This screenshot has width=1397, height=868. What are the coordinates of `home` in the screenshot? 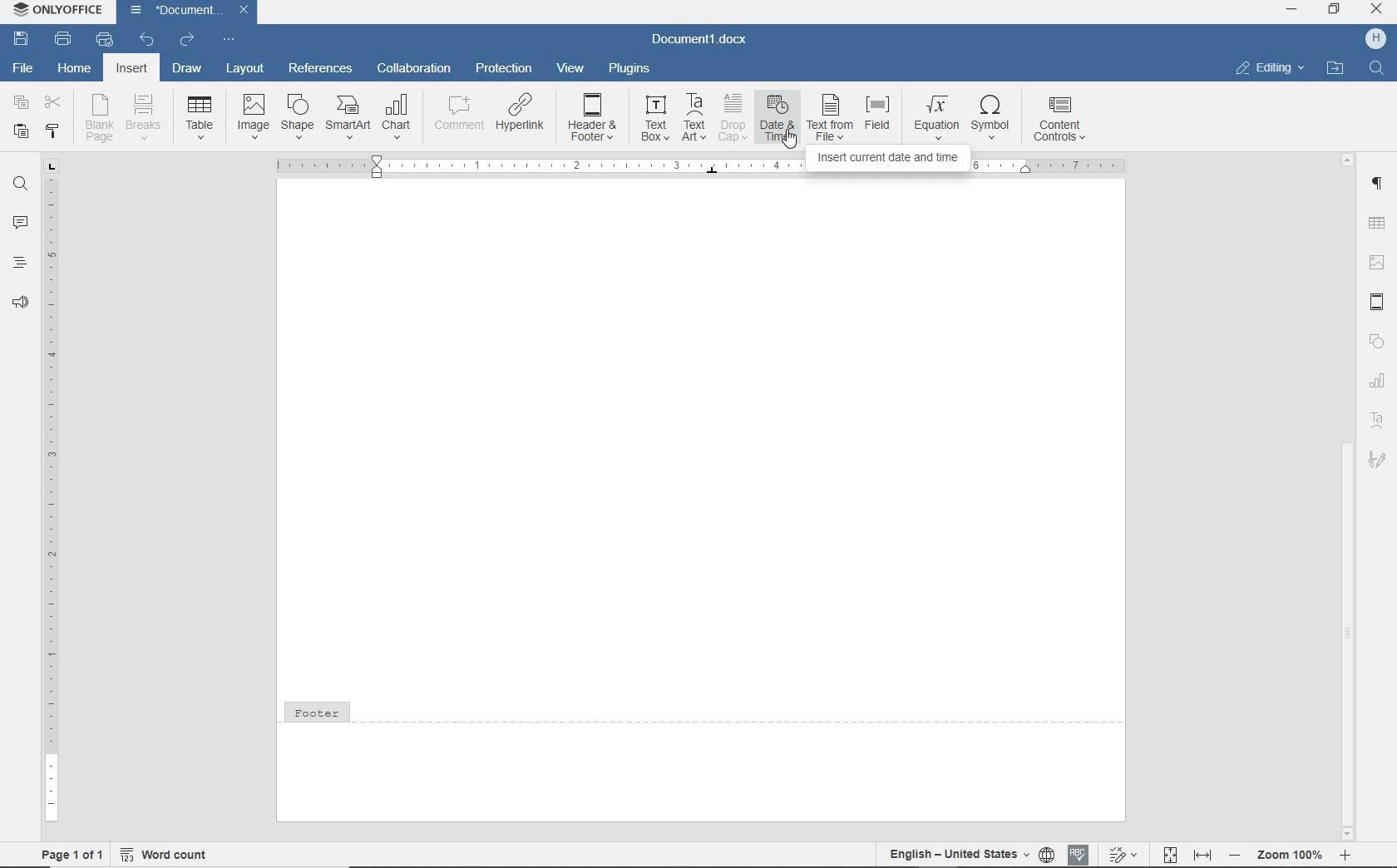 It's located at (74, 70).